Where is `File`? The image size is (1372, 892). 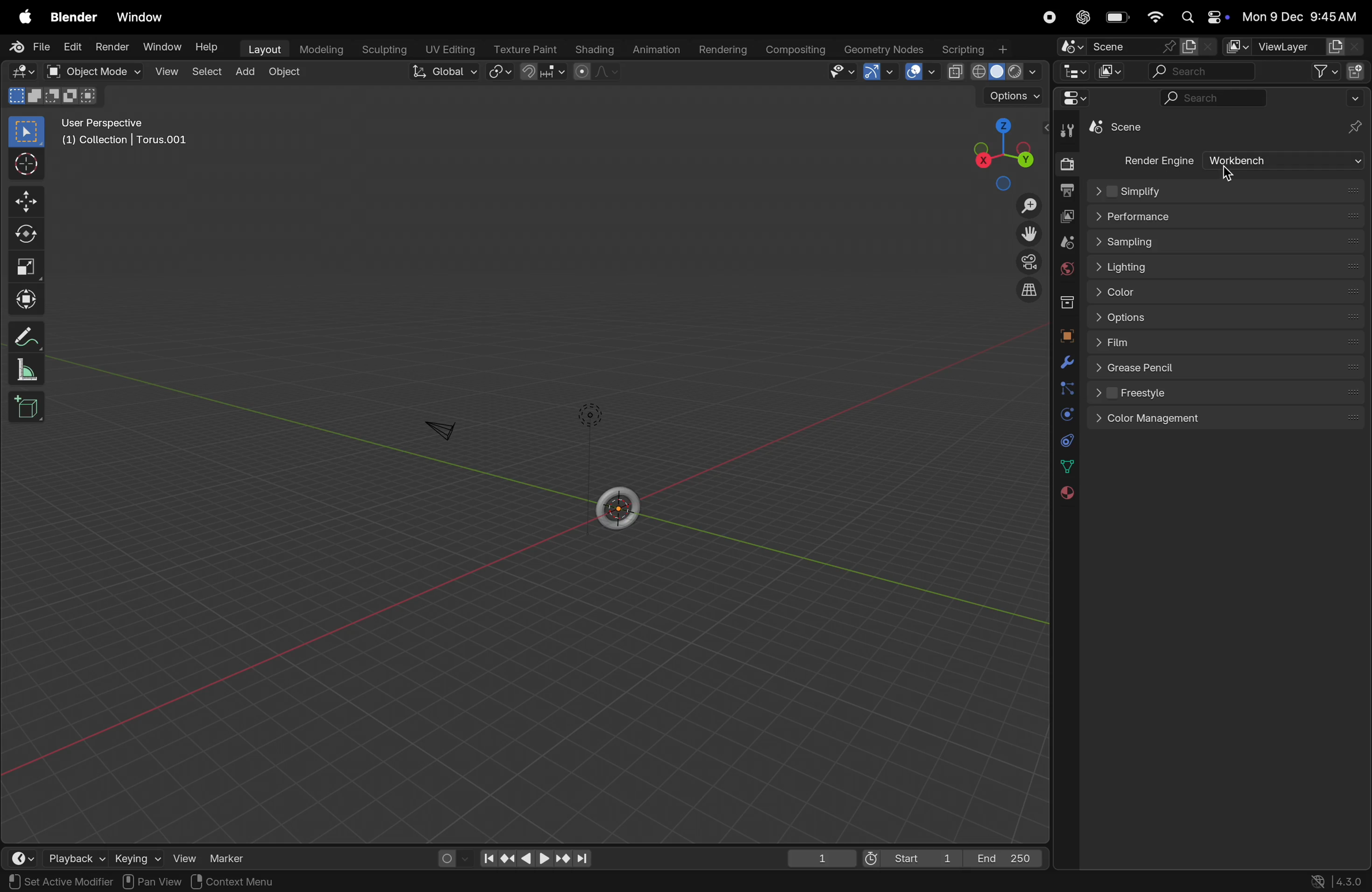
File is located at coordinates (28, 47).